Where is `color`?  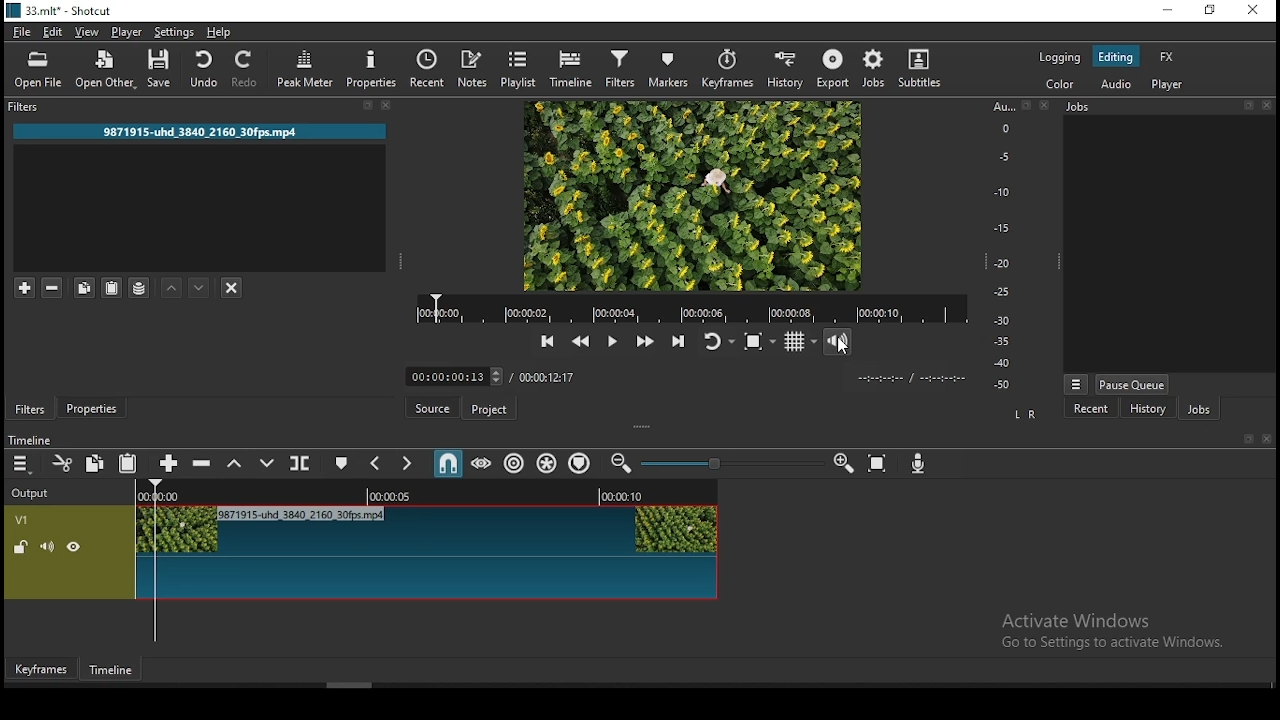 color is located at coordinates (1051, 86).